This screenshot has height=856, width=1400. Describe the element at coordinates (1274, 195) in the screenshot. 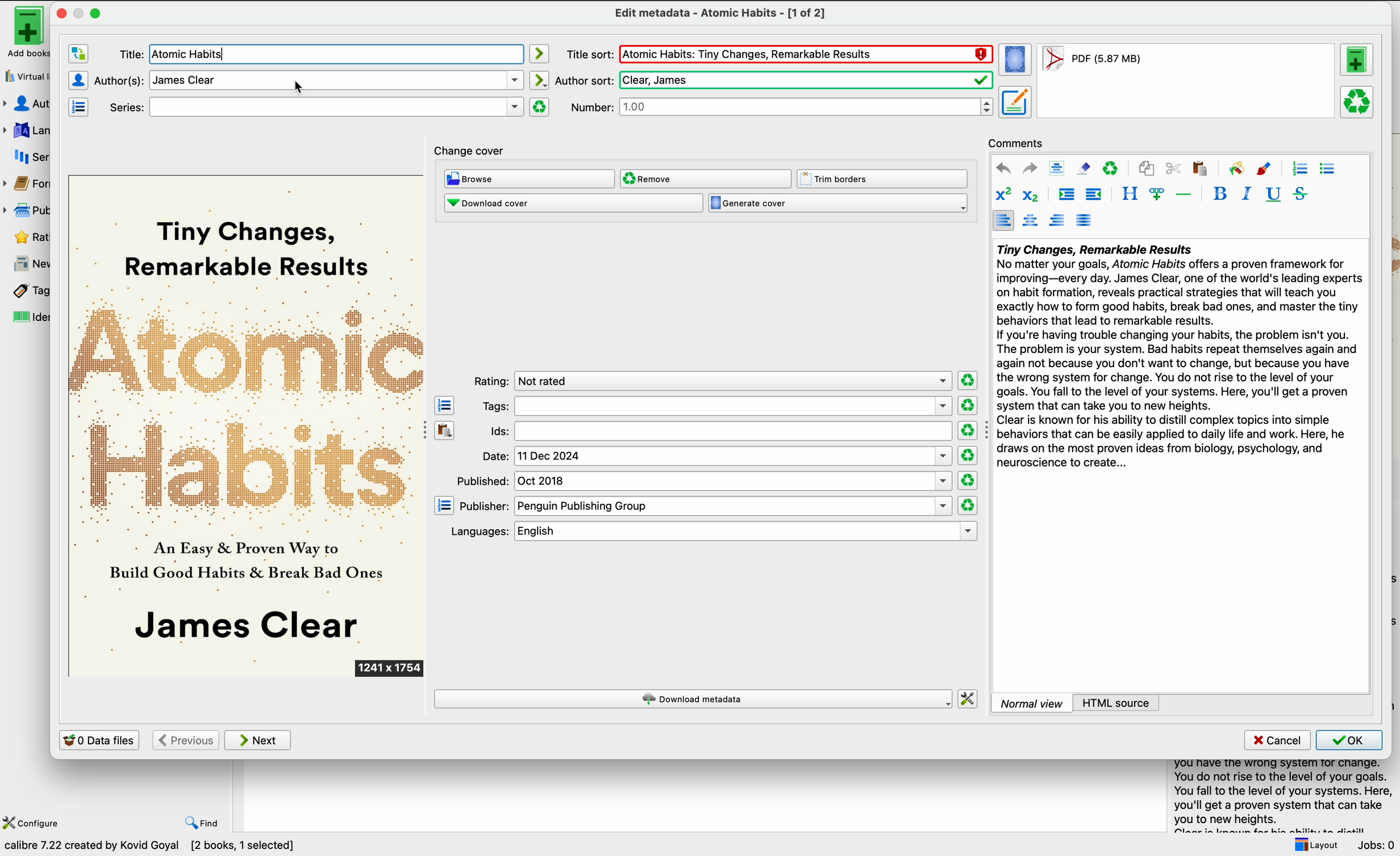

I see `underline` at that location.